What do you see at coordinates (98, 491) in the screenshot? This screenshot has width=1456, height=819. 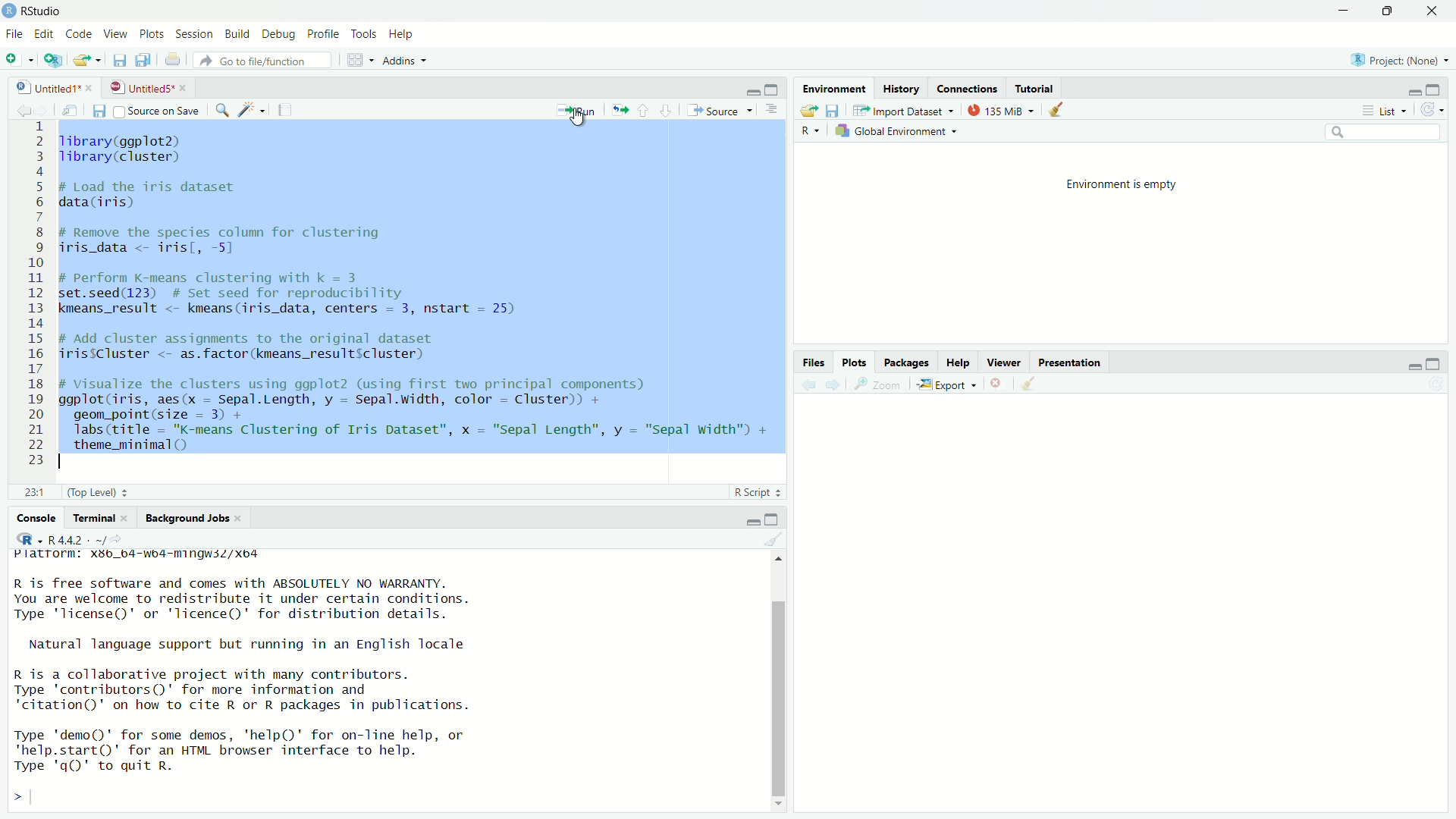 I see `(Top level)` at bounding box center [98, 491].